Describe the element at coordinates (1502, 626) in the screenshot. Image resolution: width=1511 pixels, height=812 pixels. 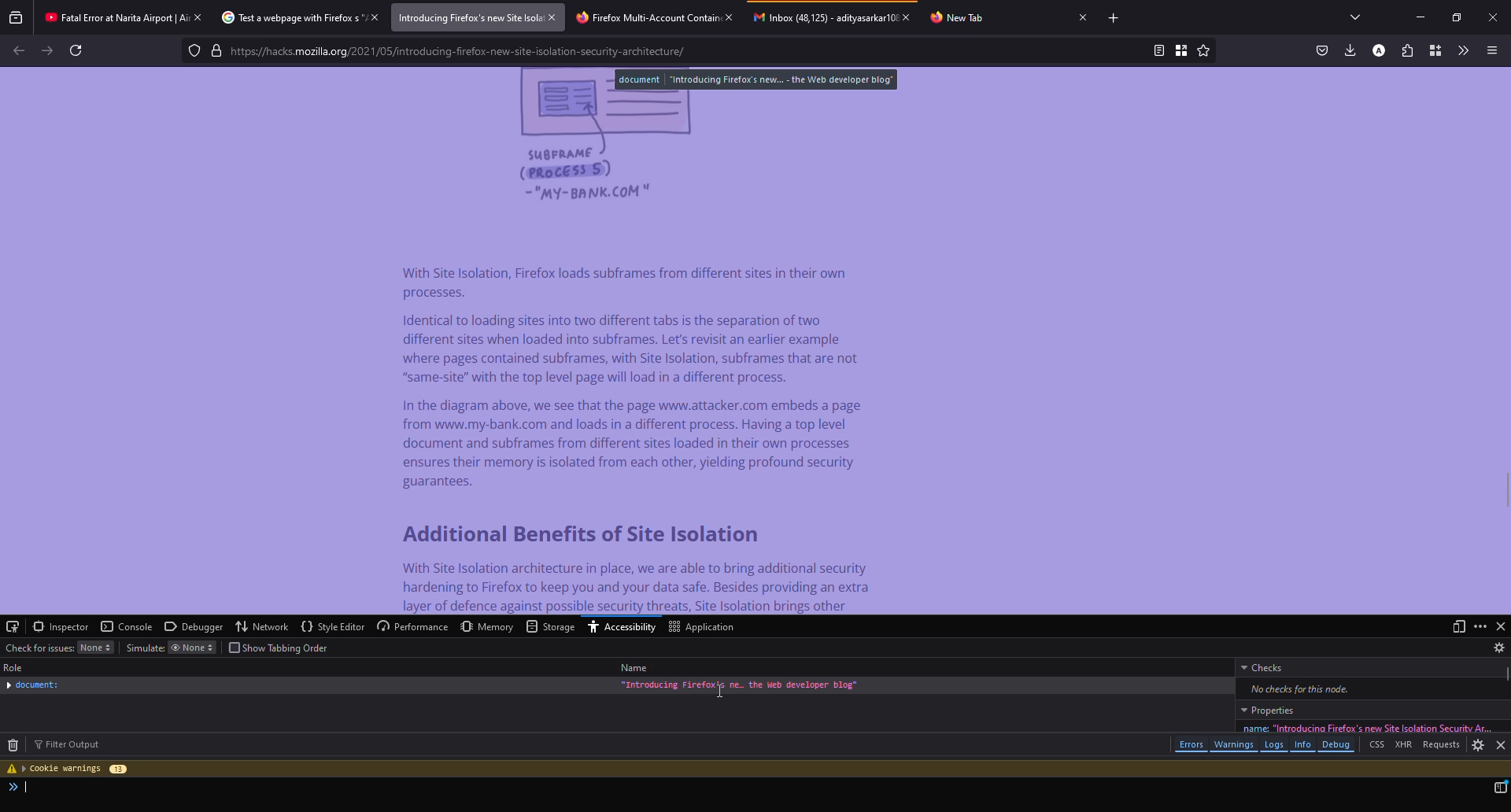
I see `close` at that location.